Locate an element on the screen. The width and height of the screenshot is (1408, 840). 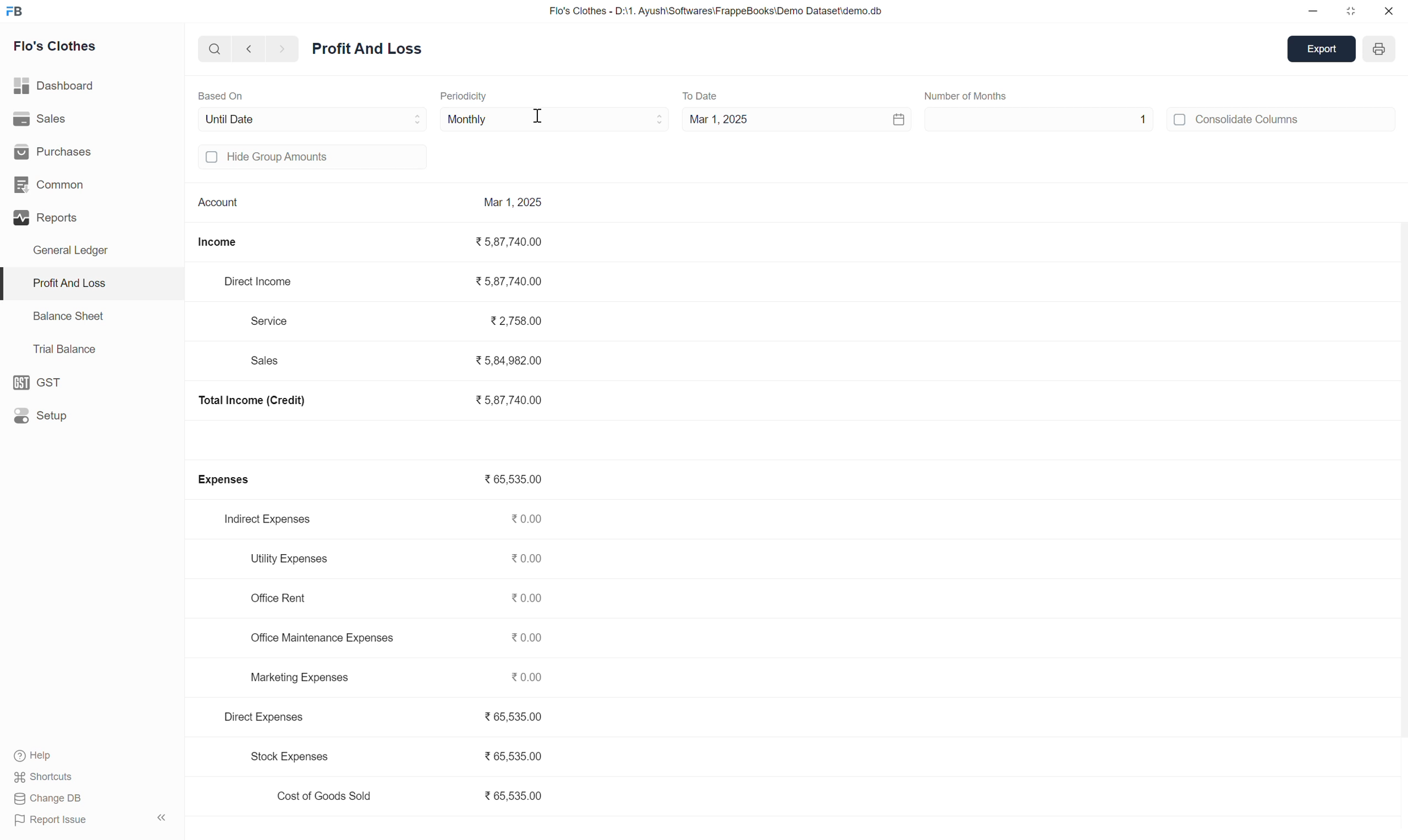
₹2,758.00 is located at coordinates (508, 323).